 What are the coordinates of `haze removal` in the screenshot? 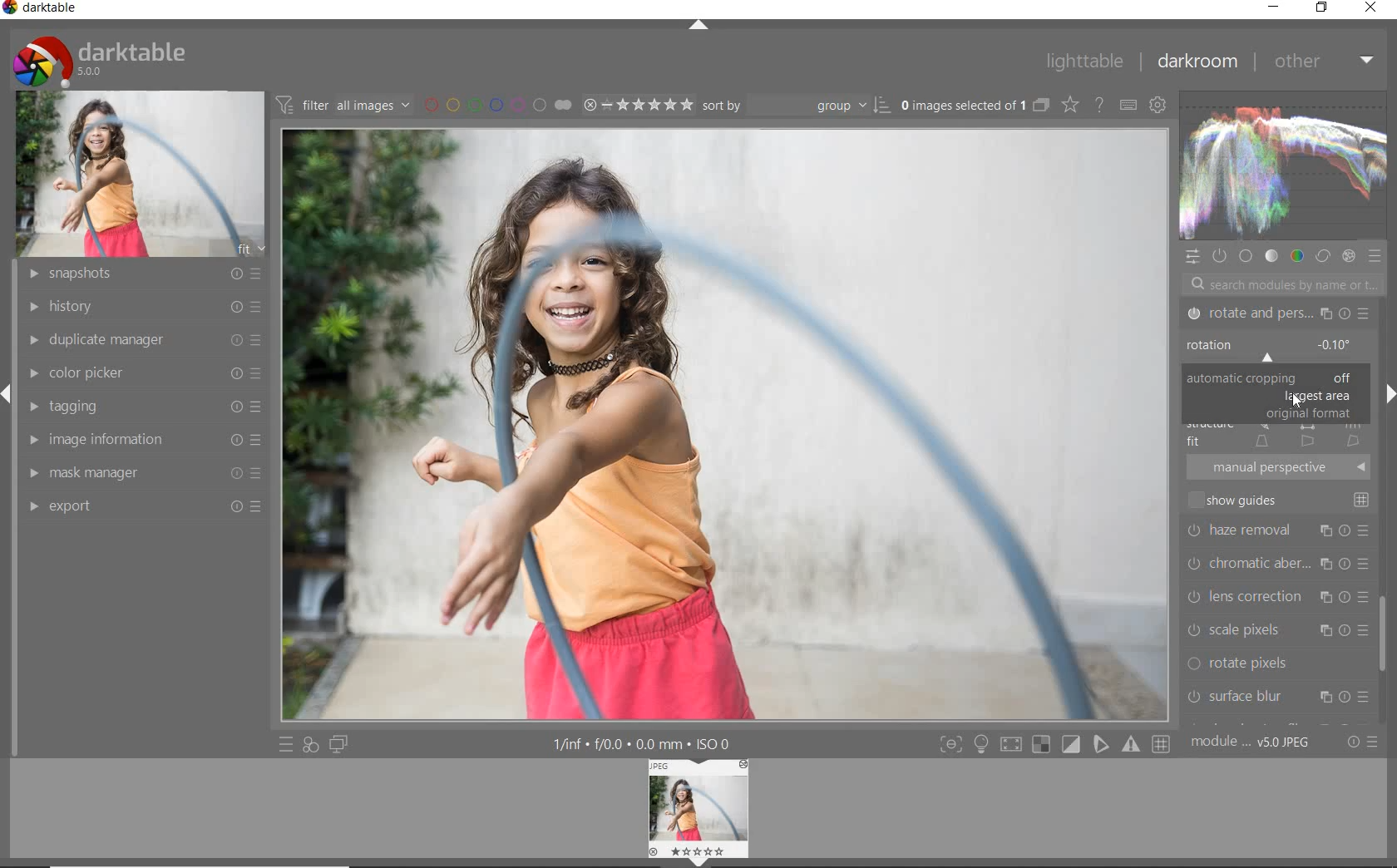 It's located at (1279, 530).